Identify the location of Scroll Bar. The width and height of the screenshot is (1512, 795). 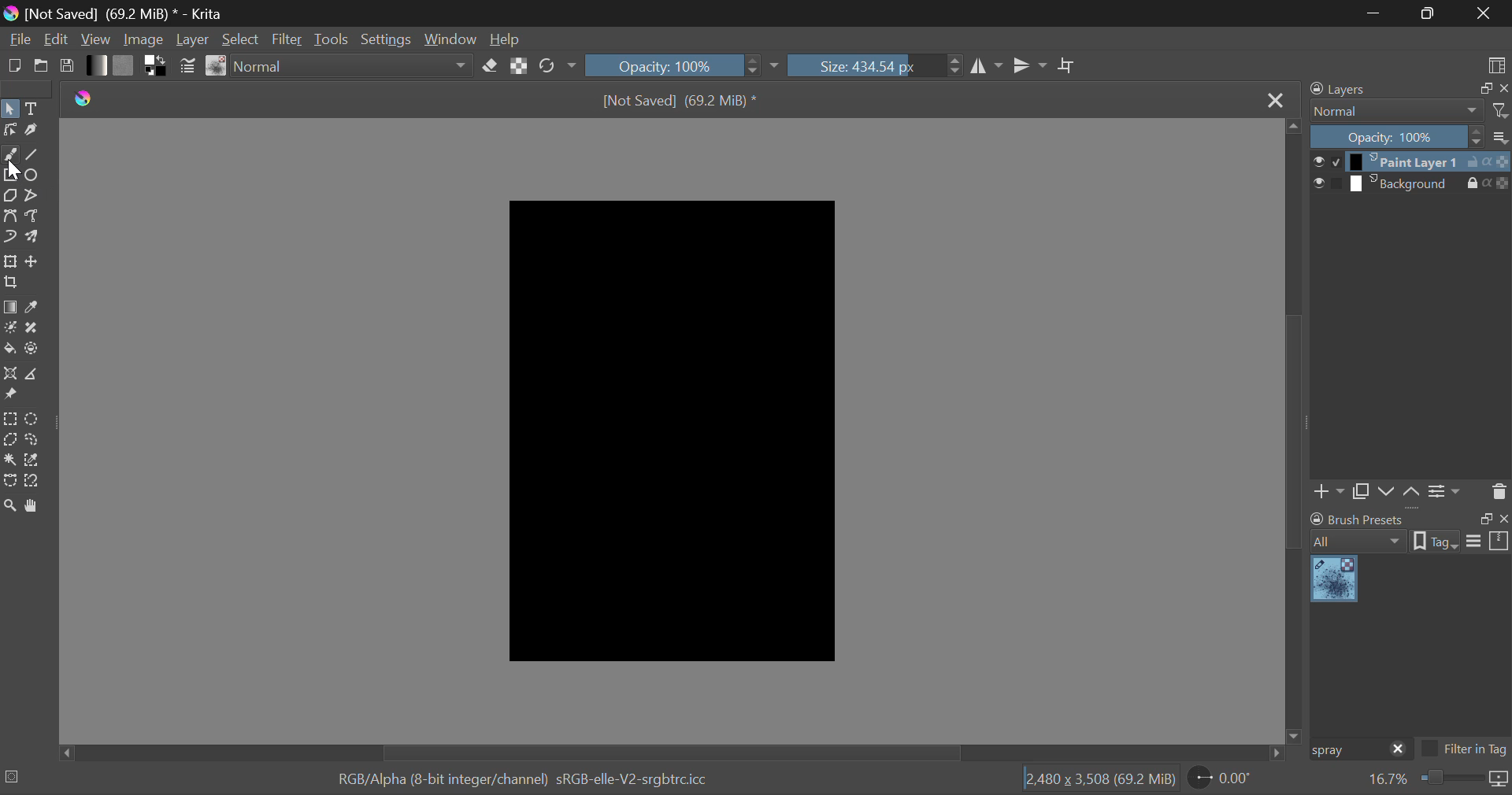
(1295, 429).